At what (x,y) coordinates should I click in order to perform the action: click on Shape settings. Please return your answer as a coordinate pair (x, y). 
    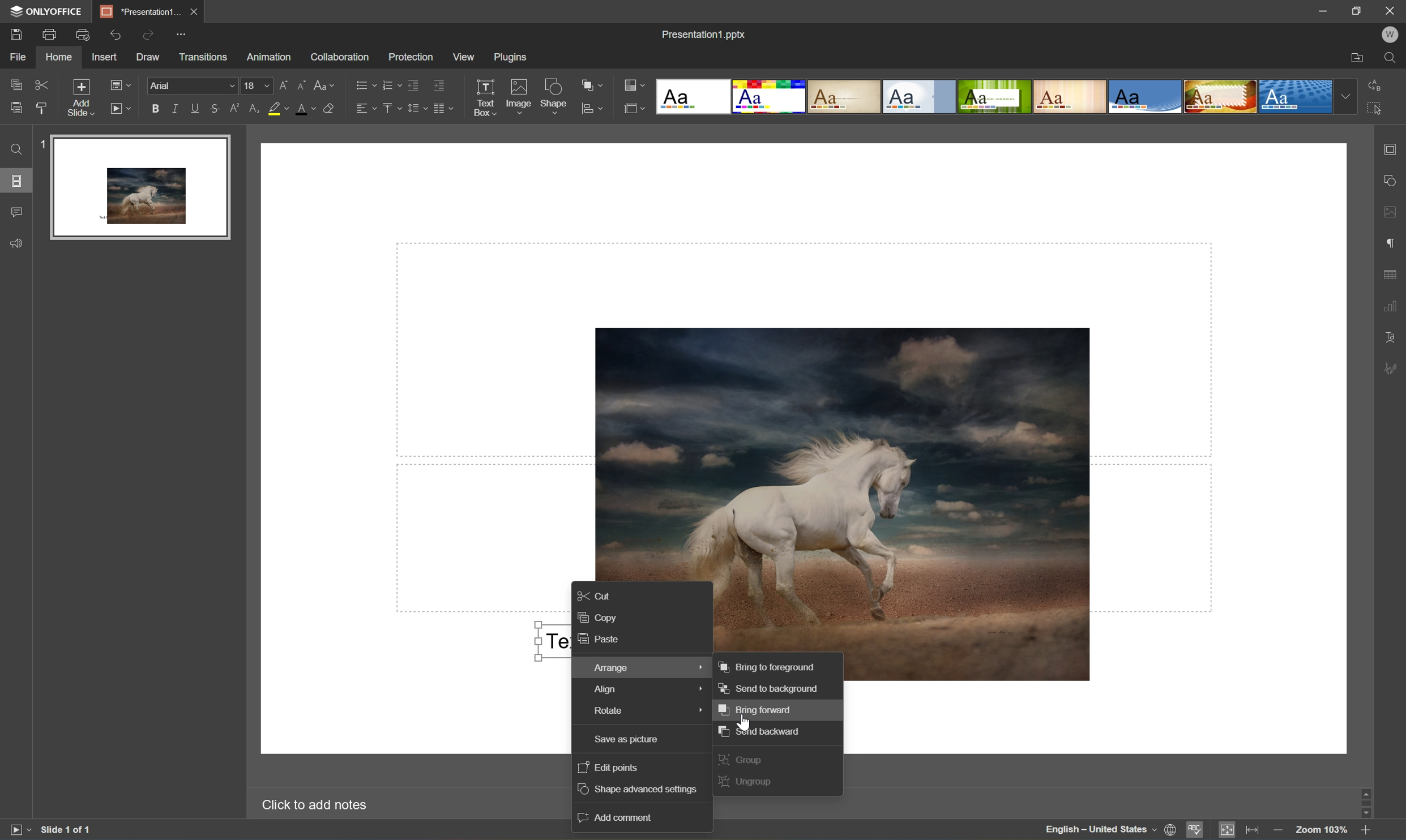
    Looking at the image, I should click on (1394, 179).